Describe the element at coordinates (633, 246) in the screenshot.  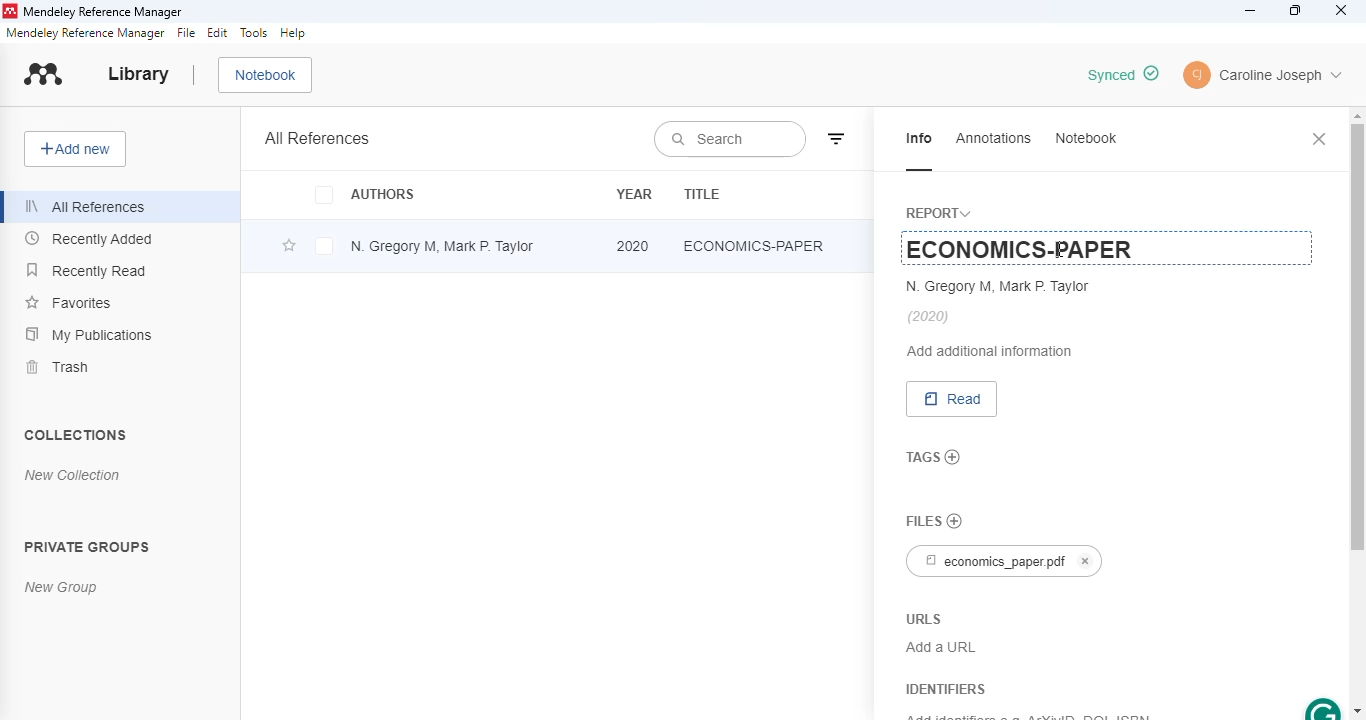
I see `2020` at that location.